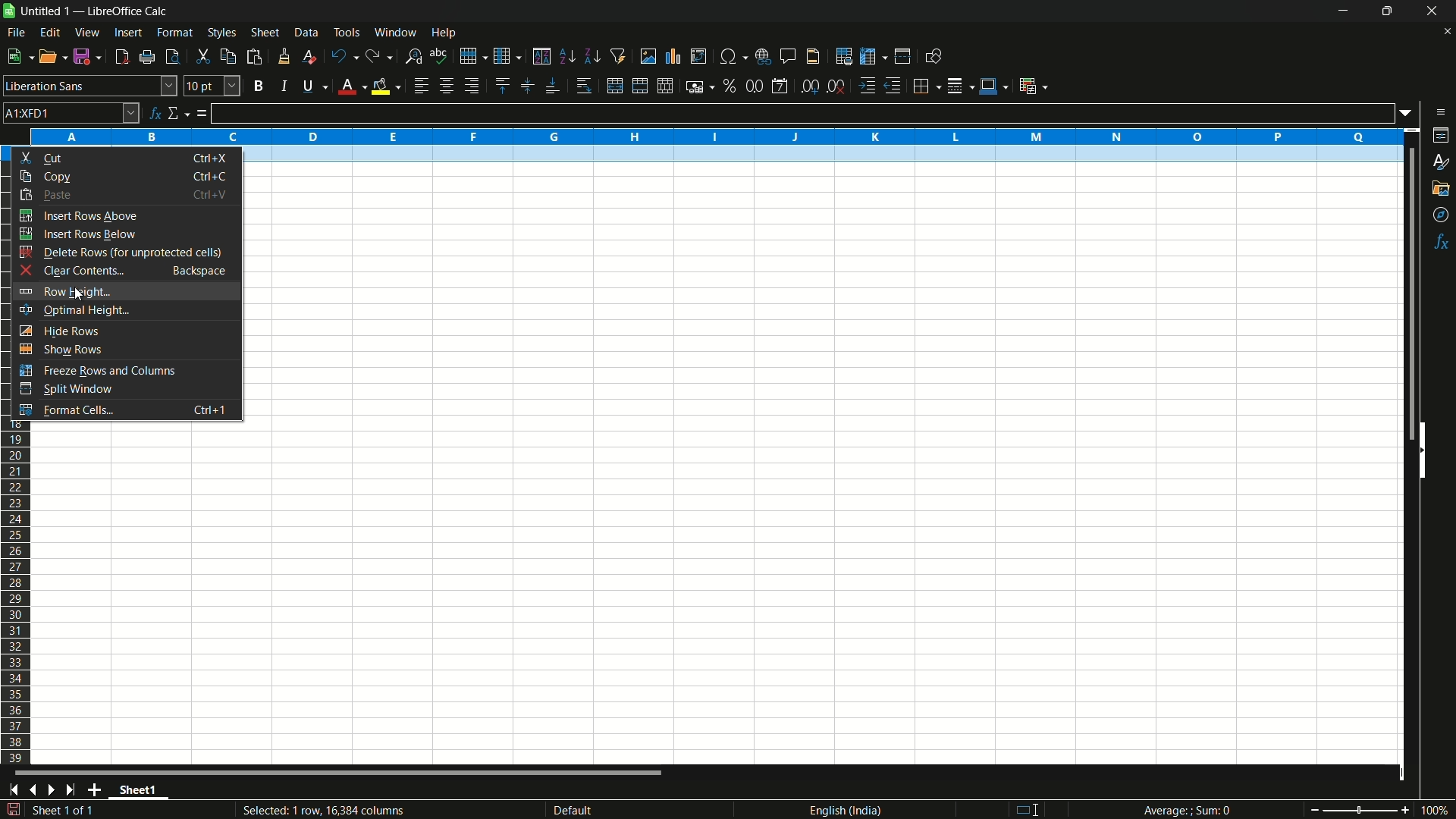 The width and height of the screenshot is (1456, 819). What do you see at coordinates (445, 33) in the screenshot?
I see `help menu` at bounding box center [445, 33].